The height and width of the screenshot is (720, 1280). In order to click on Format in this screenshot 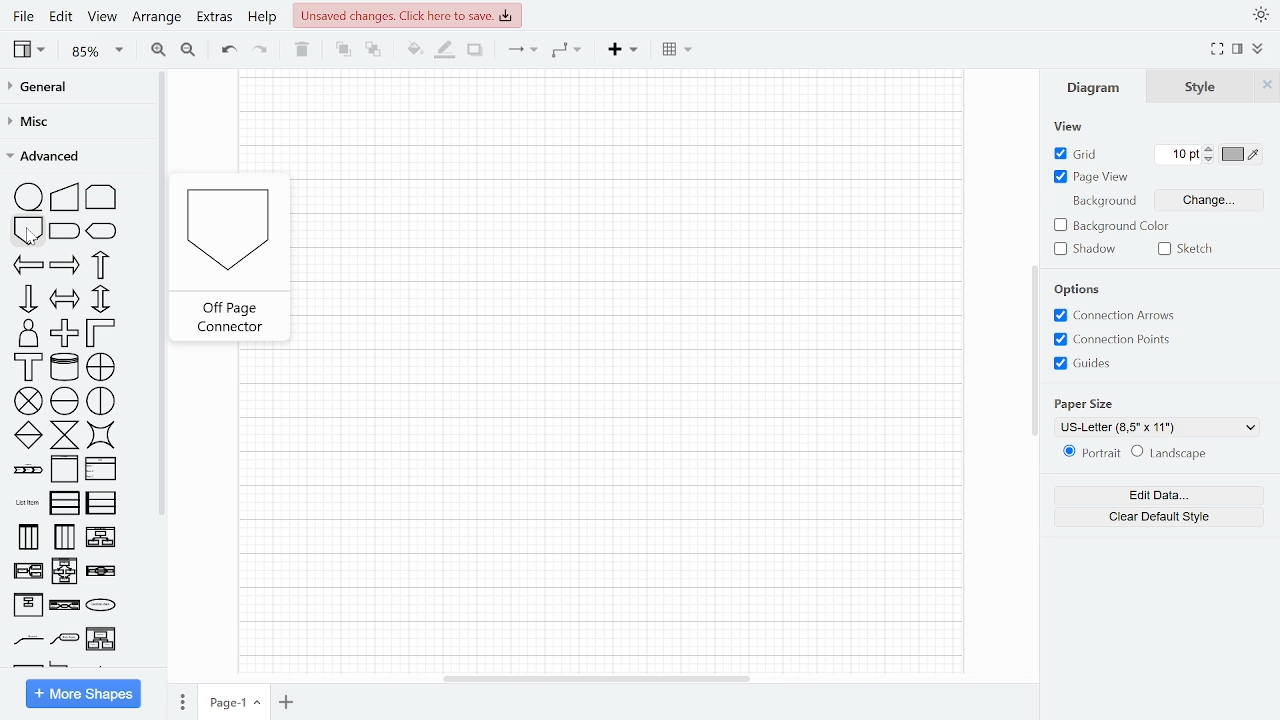, I will do `click(1241, 51)`.